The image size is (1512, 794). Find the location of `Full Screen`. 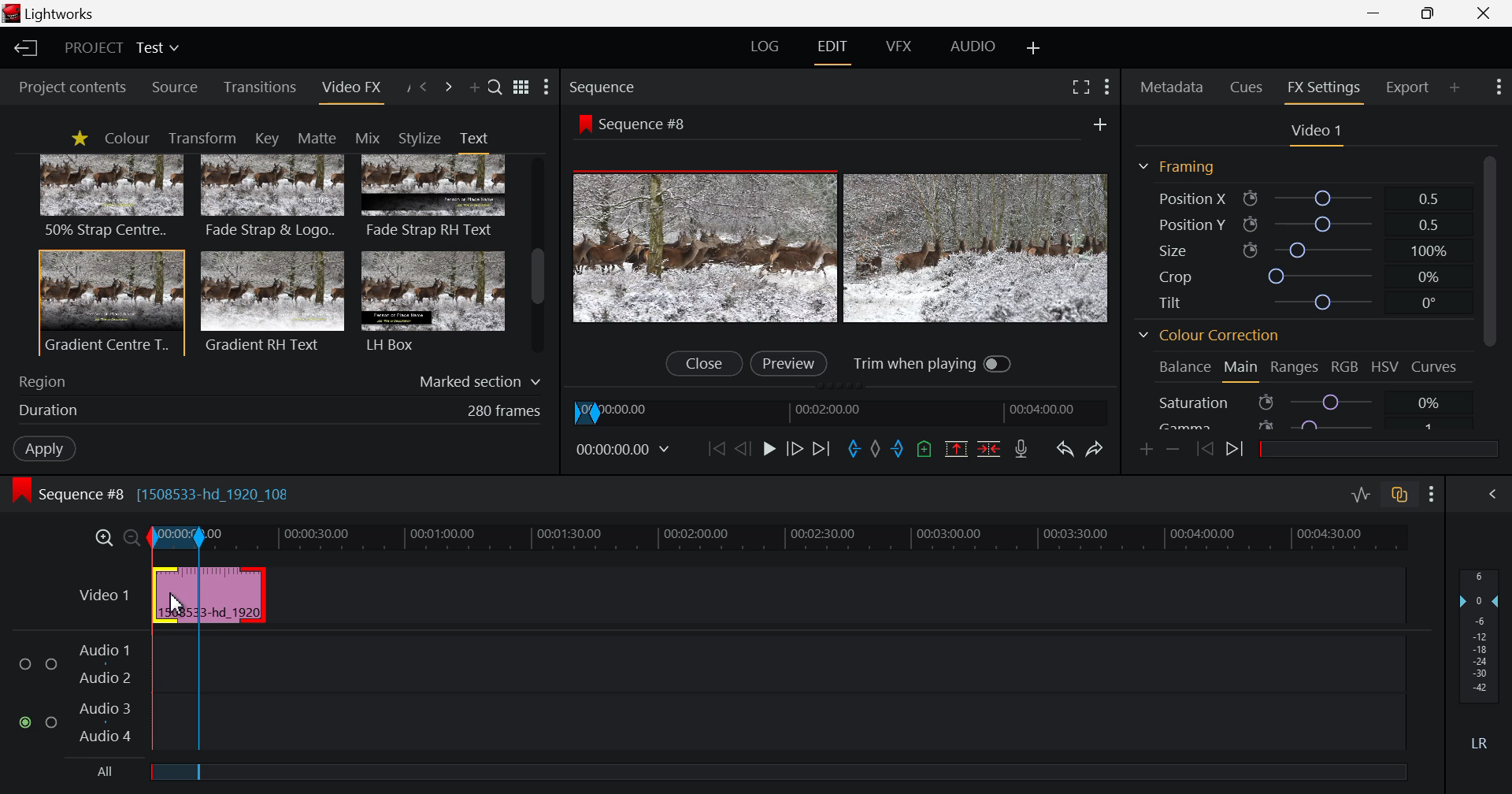

Full Screen is located at coordinates (1082, 87).